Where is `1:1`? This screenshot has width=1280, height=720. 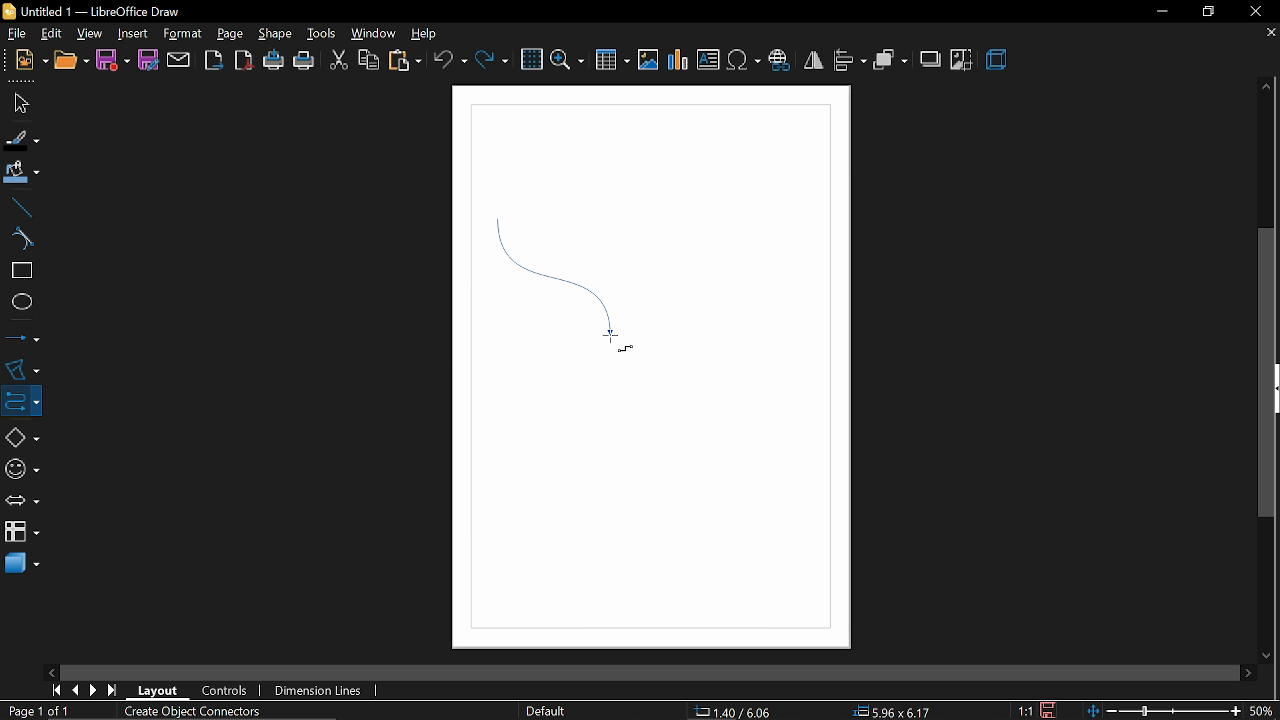
1:1 is located at coordinates (1027, 711).